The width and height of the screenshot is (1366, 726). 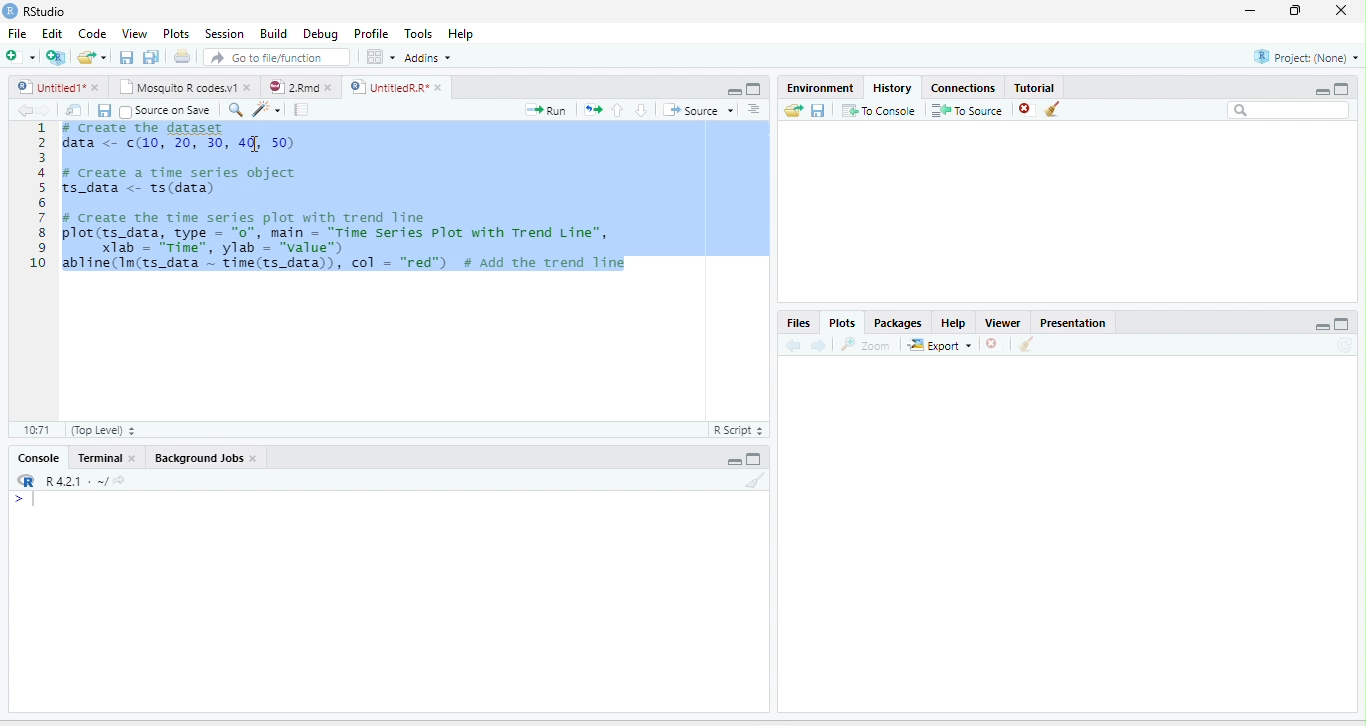 What do you see at coordinates (86, 56) in the screenshot?
I see `Open an existing file` at bounding box center [86, 56].